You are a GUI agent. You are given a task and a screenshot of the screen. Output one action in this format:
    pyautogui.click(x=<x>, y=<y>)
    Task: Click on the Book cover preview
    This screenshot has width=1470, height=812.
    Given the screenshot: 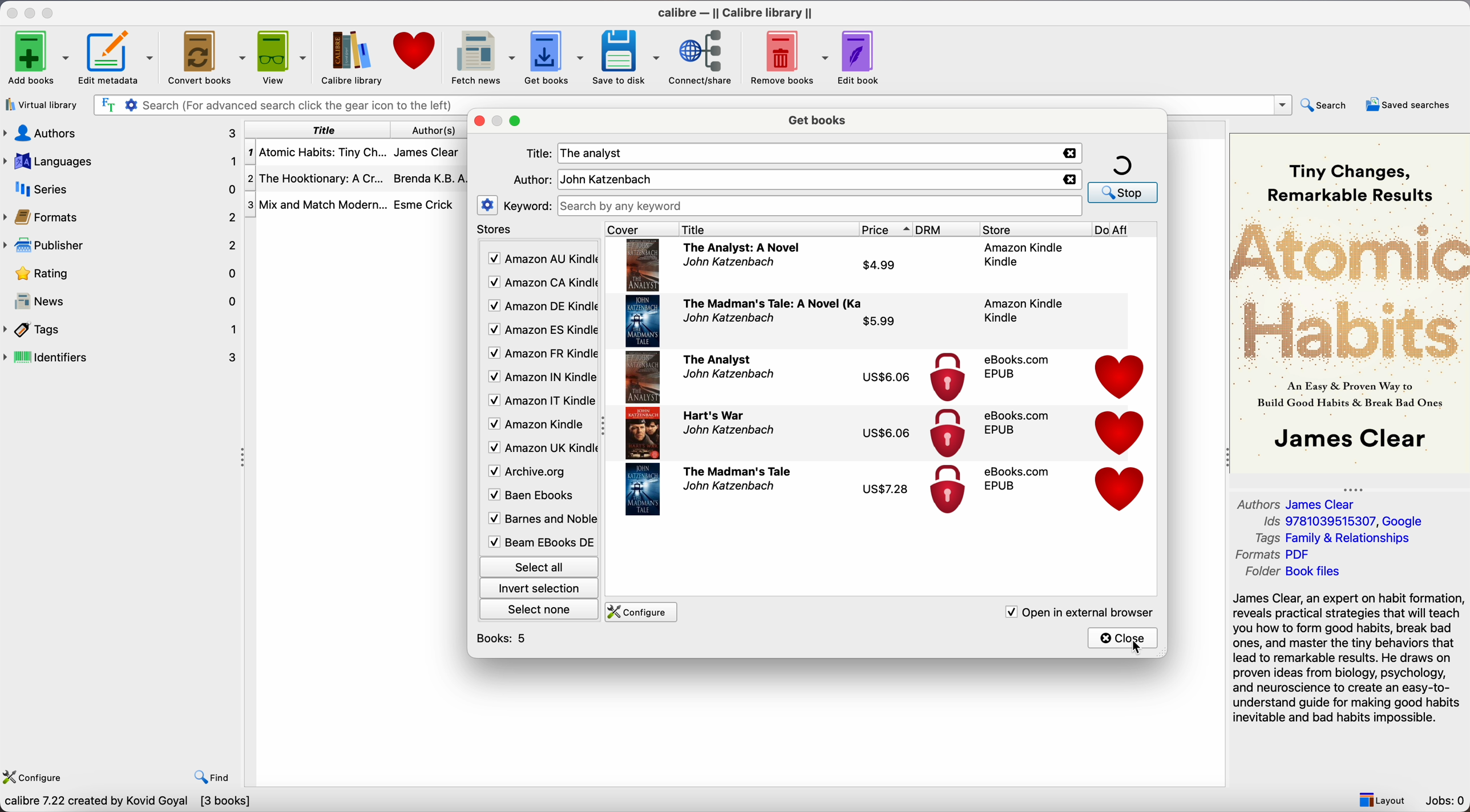 What is the action you would take?
    pyautogui.click(x=1350, y=302)
    